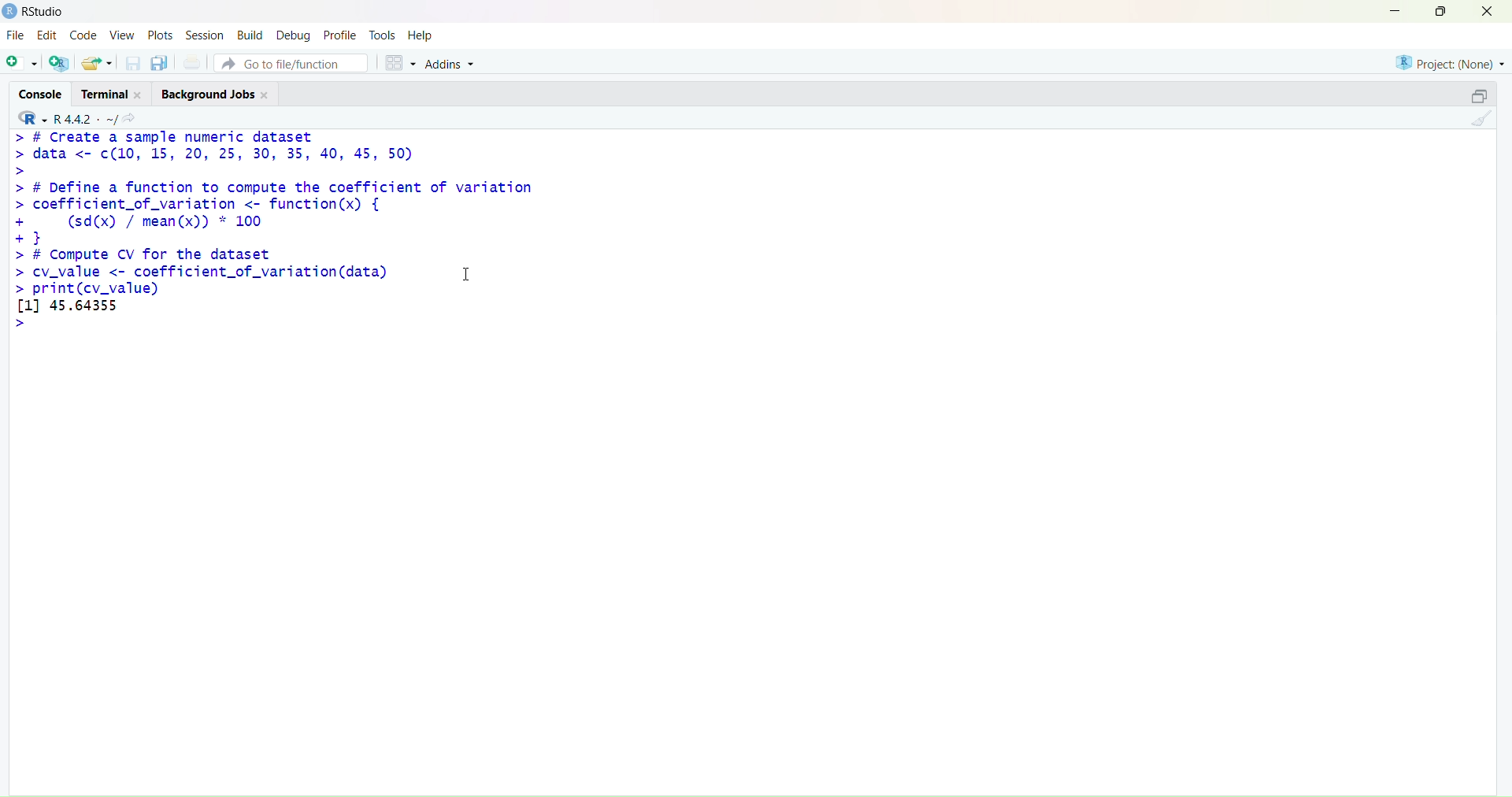 The width and height of the screenshot is (1512, 797). What do you see at coordinates (139, 95) in the screenshot?
I see `Close ` at bounding box center [139, 95].